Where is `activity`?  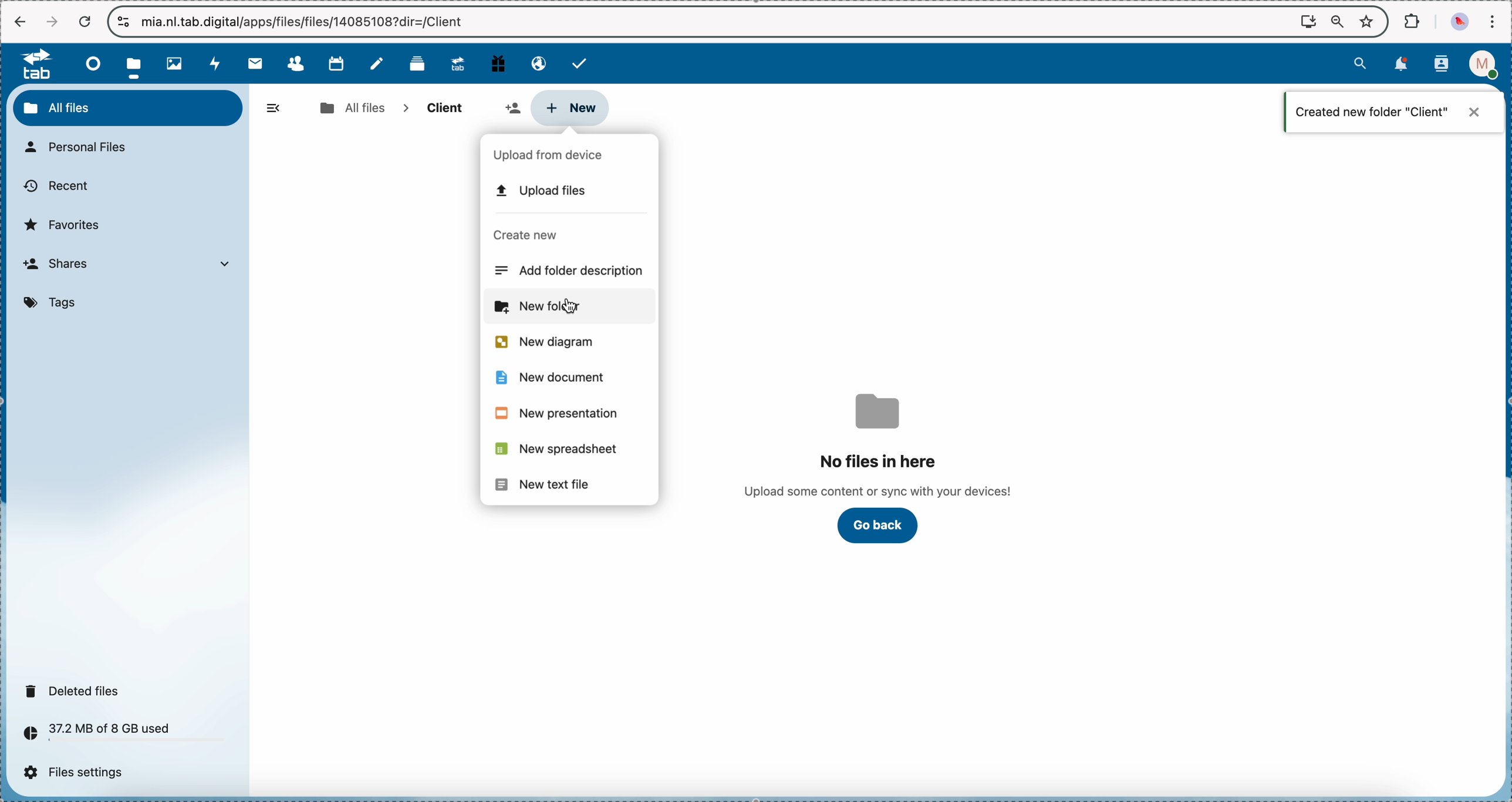 activity is located at coordinates (217, 63).